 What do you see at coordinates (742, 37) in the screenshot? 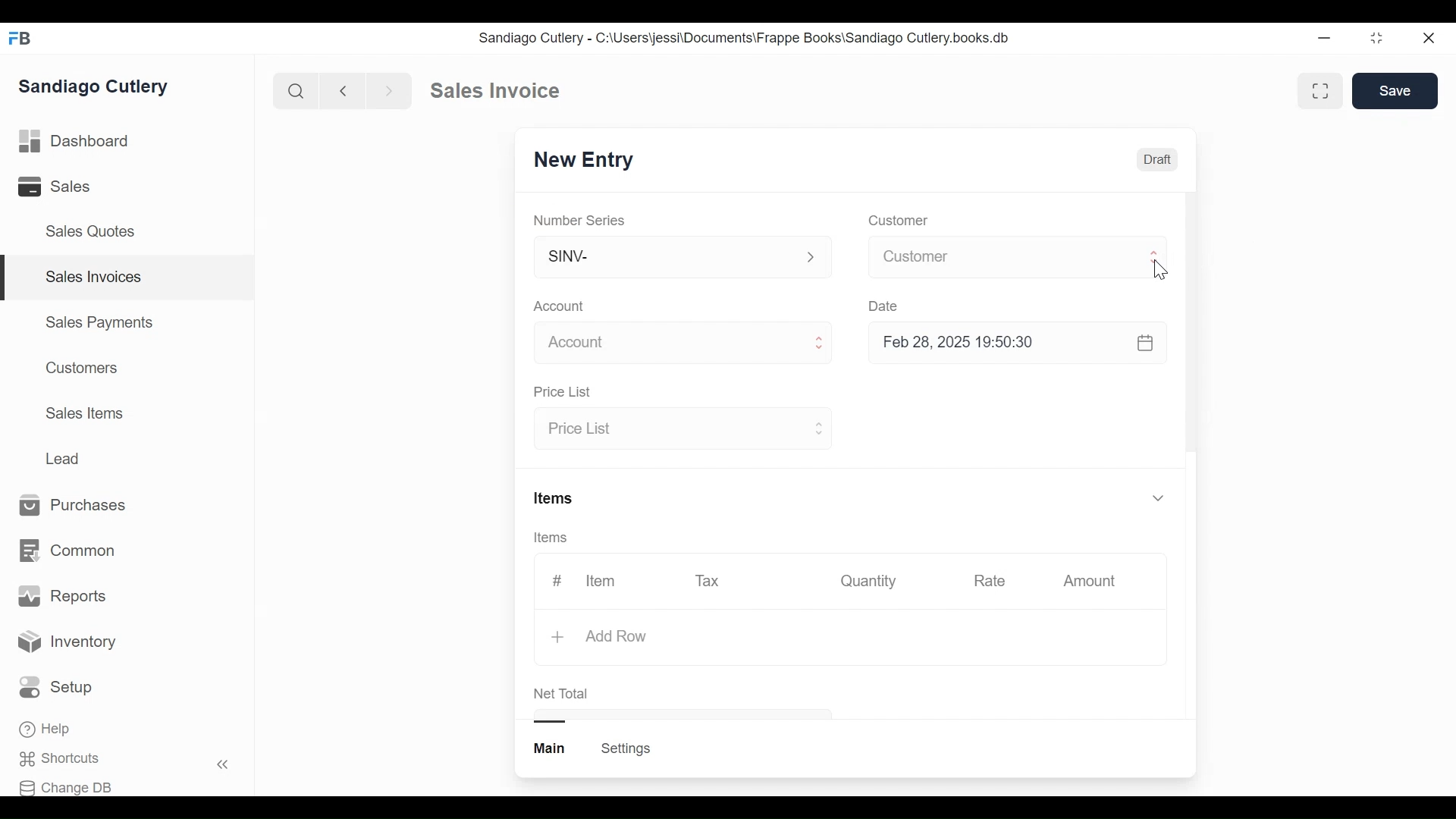
I see `Sandiago Cutlery - C:\Users\jessi\Documents\Frappe Books\Sandiago Cutlery.books.db` at bounding box center [742, 37].